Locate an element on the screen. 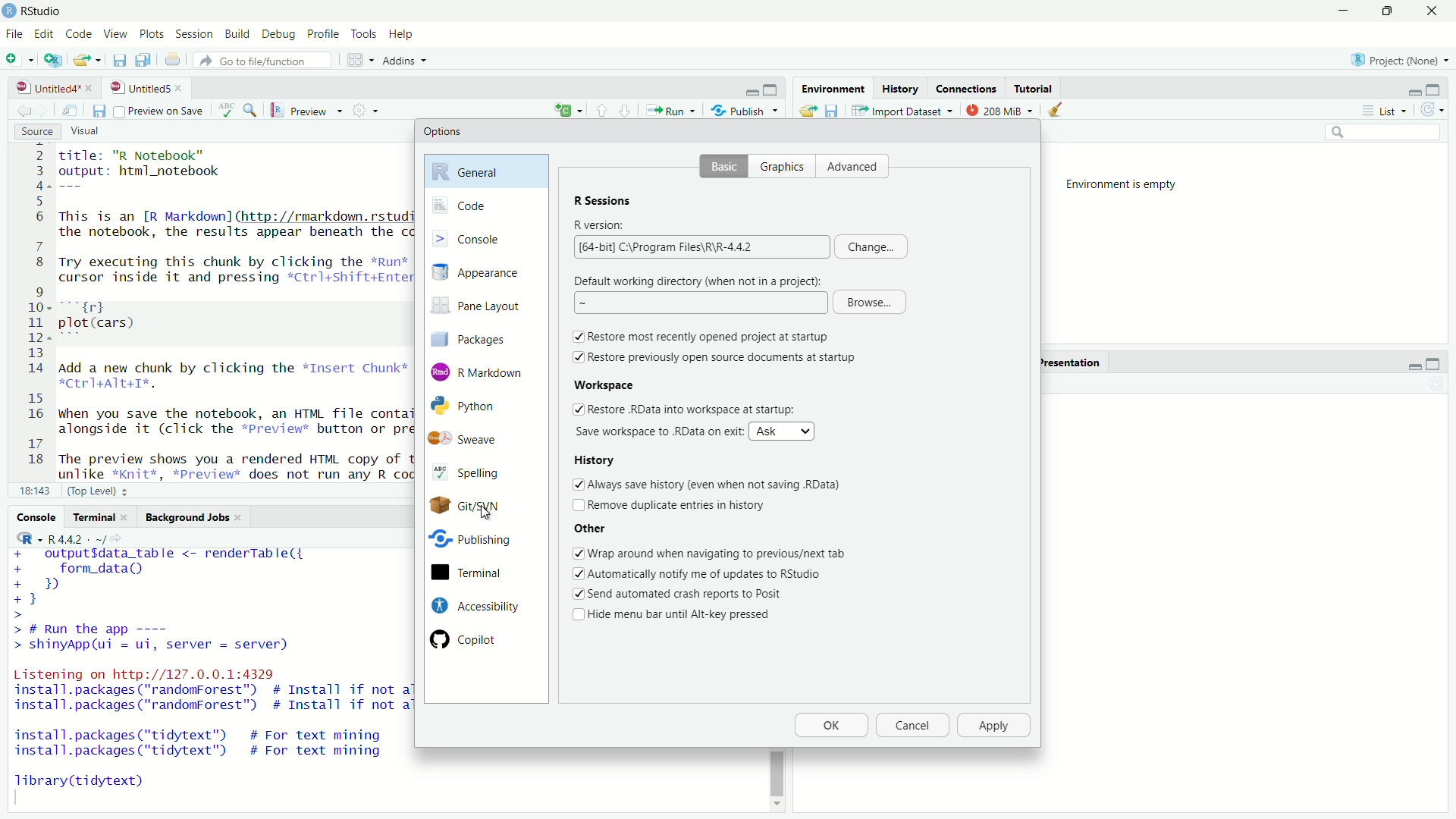 This screenshot has width=1456, height=819. Source is located at coordinates (38, 132).